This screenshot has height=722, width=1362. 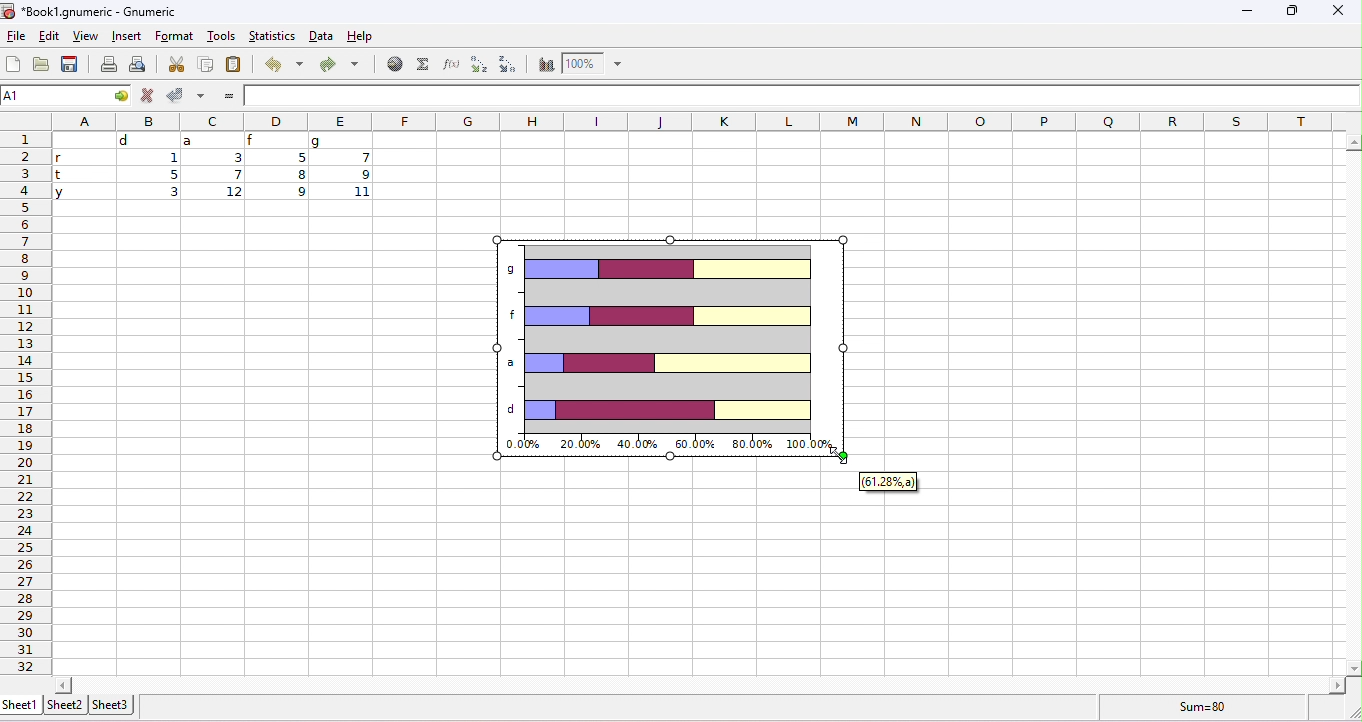 What do you see at coordinates (176, 94) in the screenshot?
I see `accept changes` at bounding box center [176, 94].